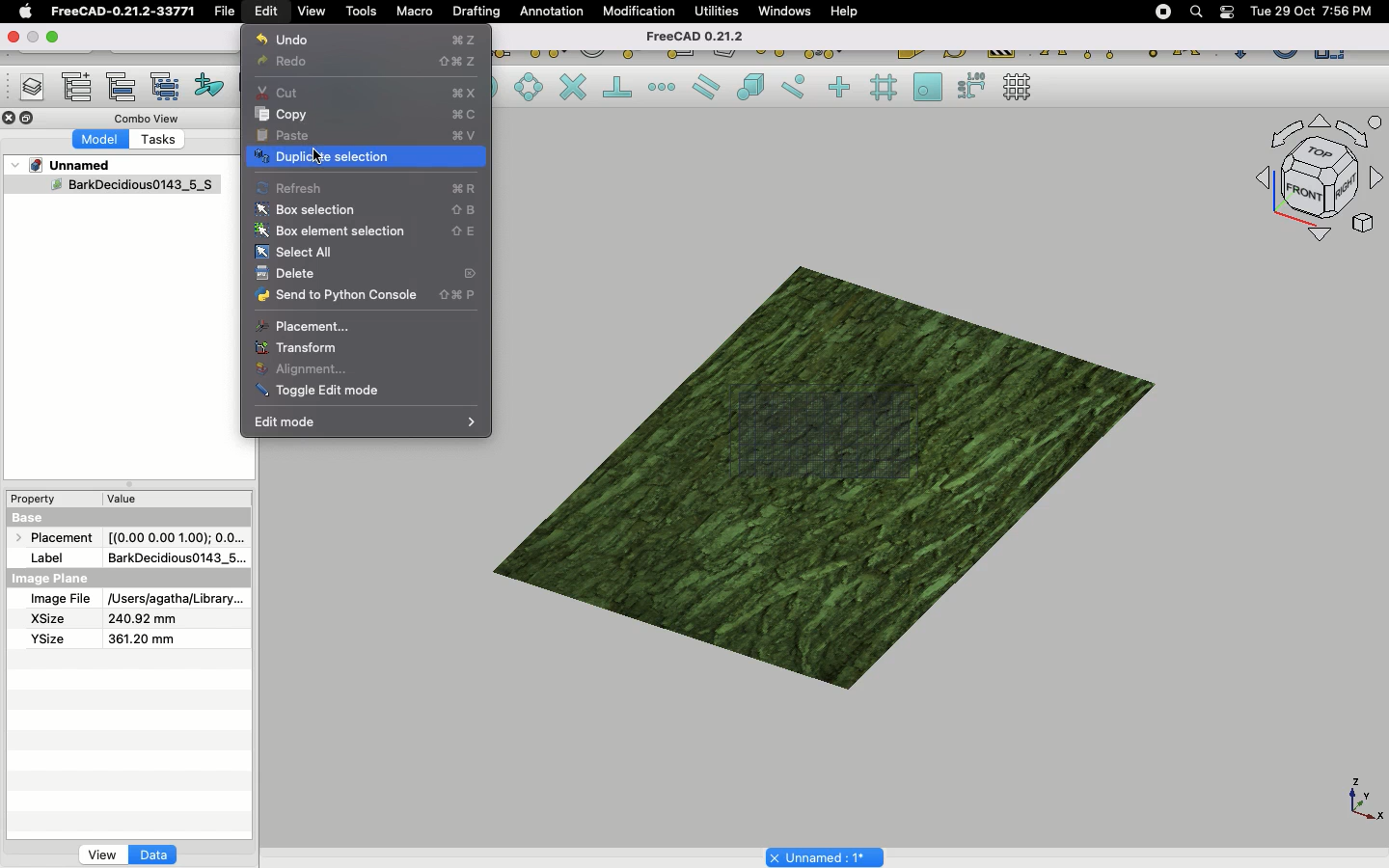 The width and height of the screenshot is (1389, 868). I want to click on Manage layers, so click(25, 89).